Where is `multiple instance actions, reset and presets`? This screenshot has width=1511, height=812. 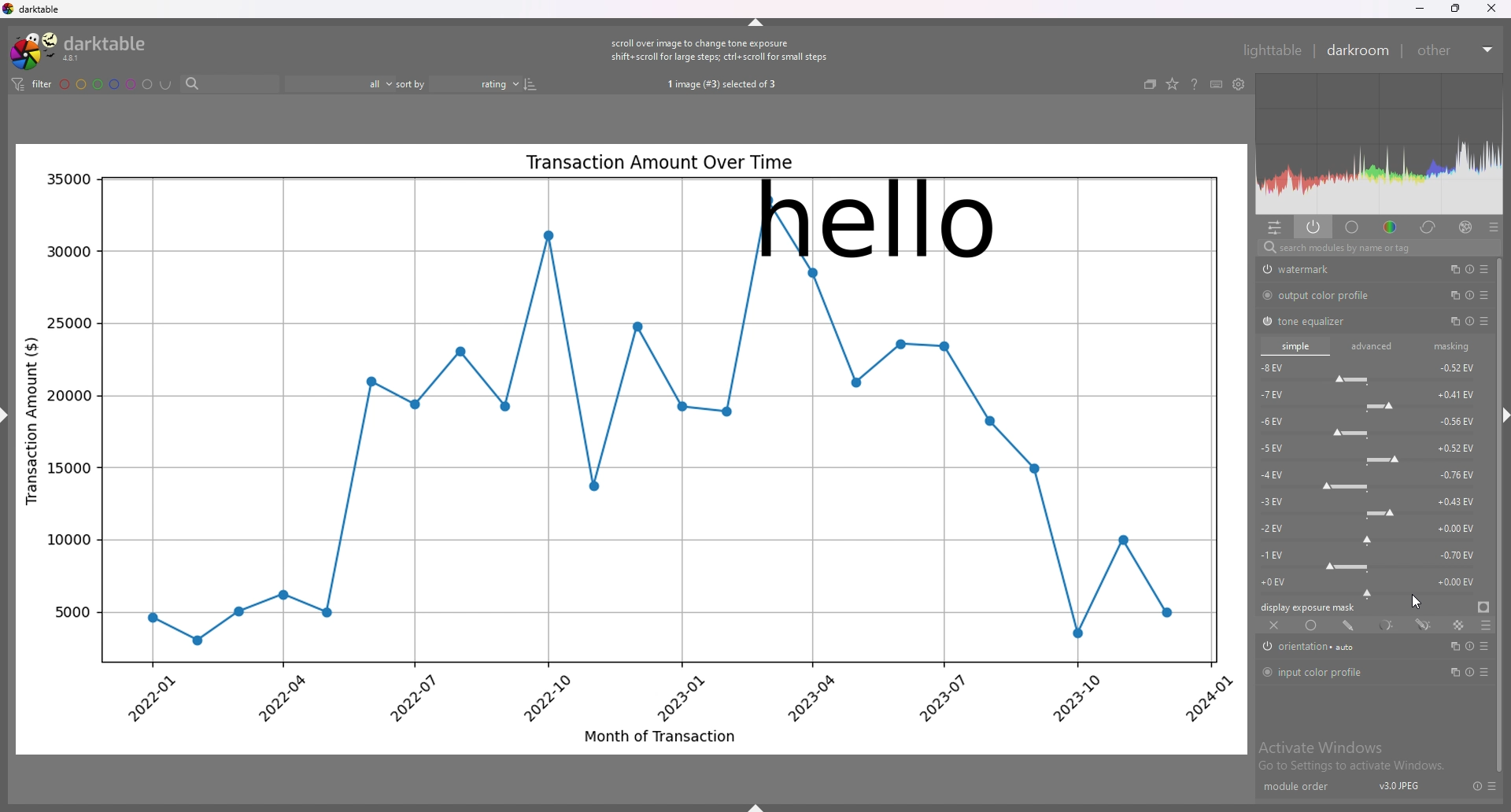 multiple instance actions, reset and presets is located at coordinates (1469, 647).